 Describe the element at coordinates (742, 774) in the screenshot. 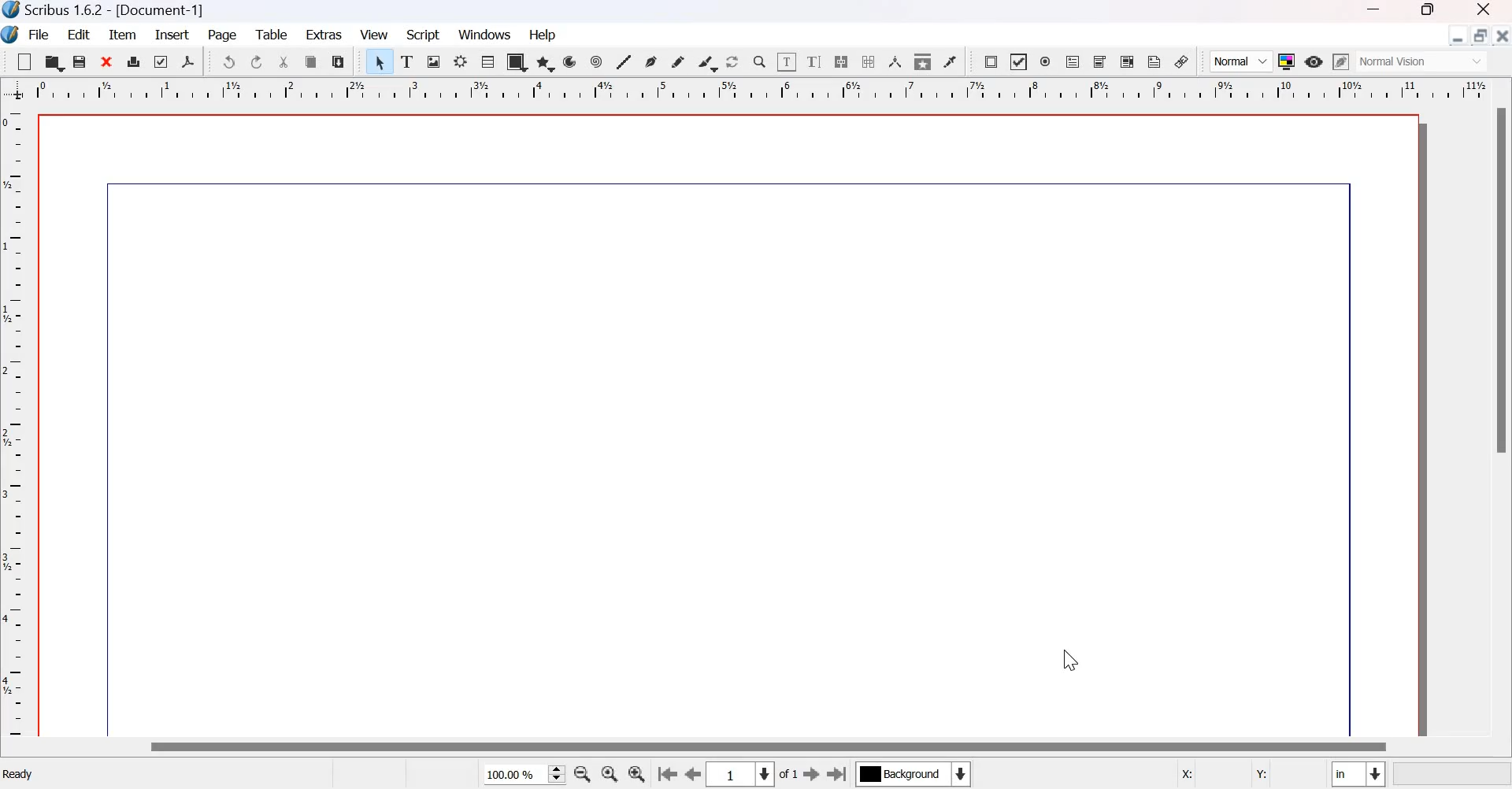

I see `Select the current page` at that location.